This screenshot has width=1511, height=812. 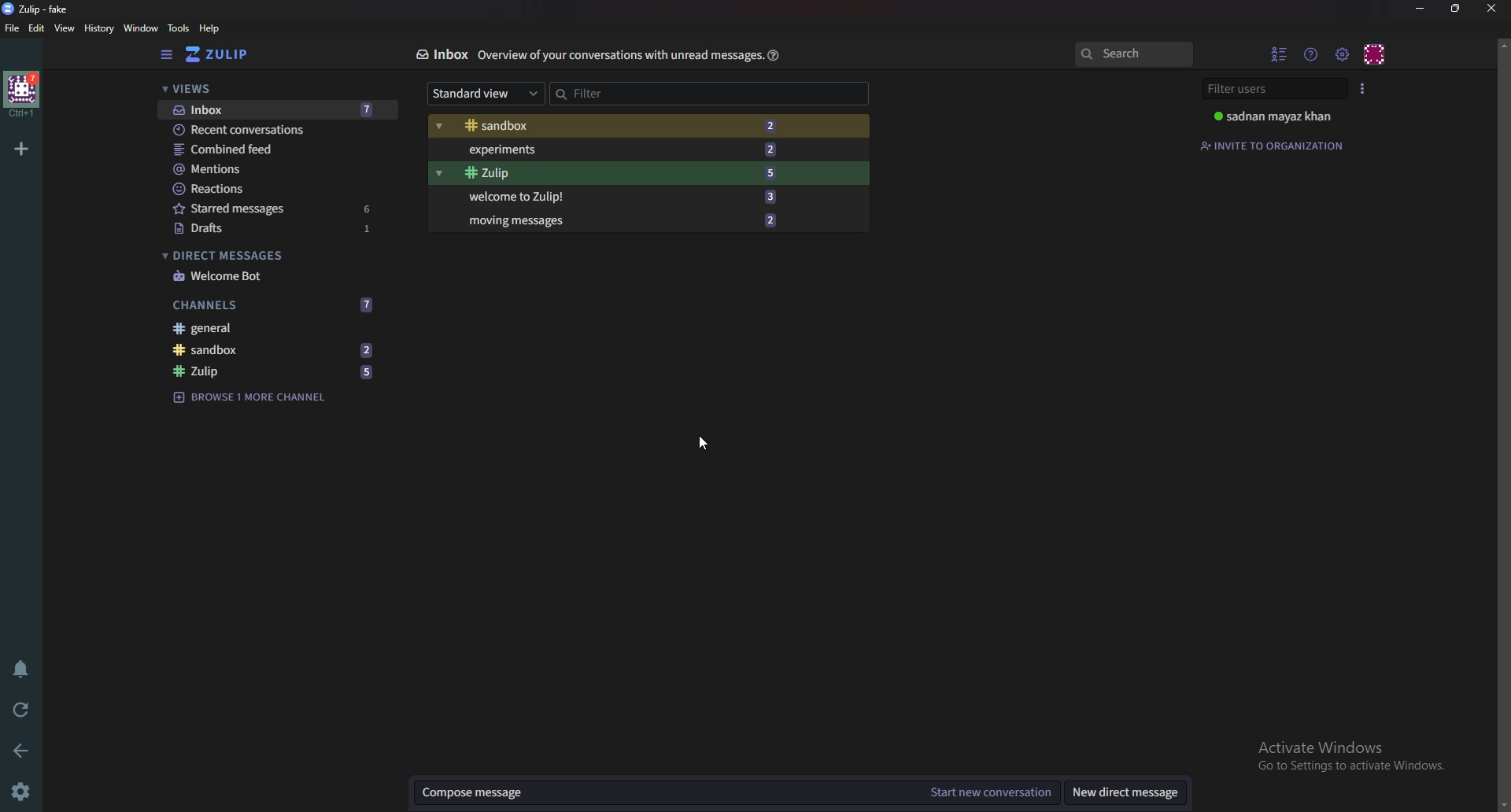 I want to click on Mentions, so click(x=272, y=169).